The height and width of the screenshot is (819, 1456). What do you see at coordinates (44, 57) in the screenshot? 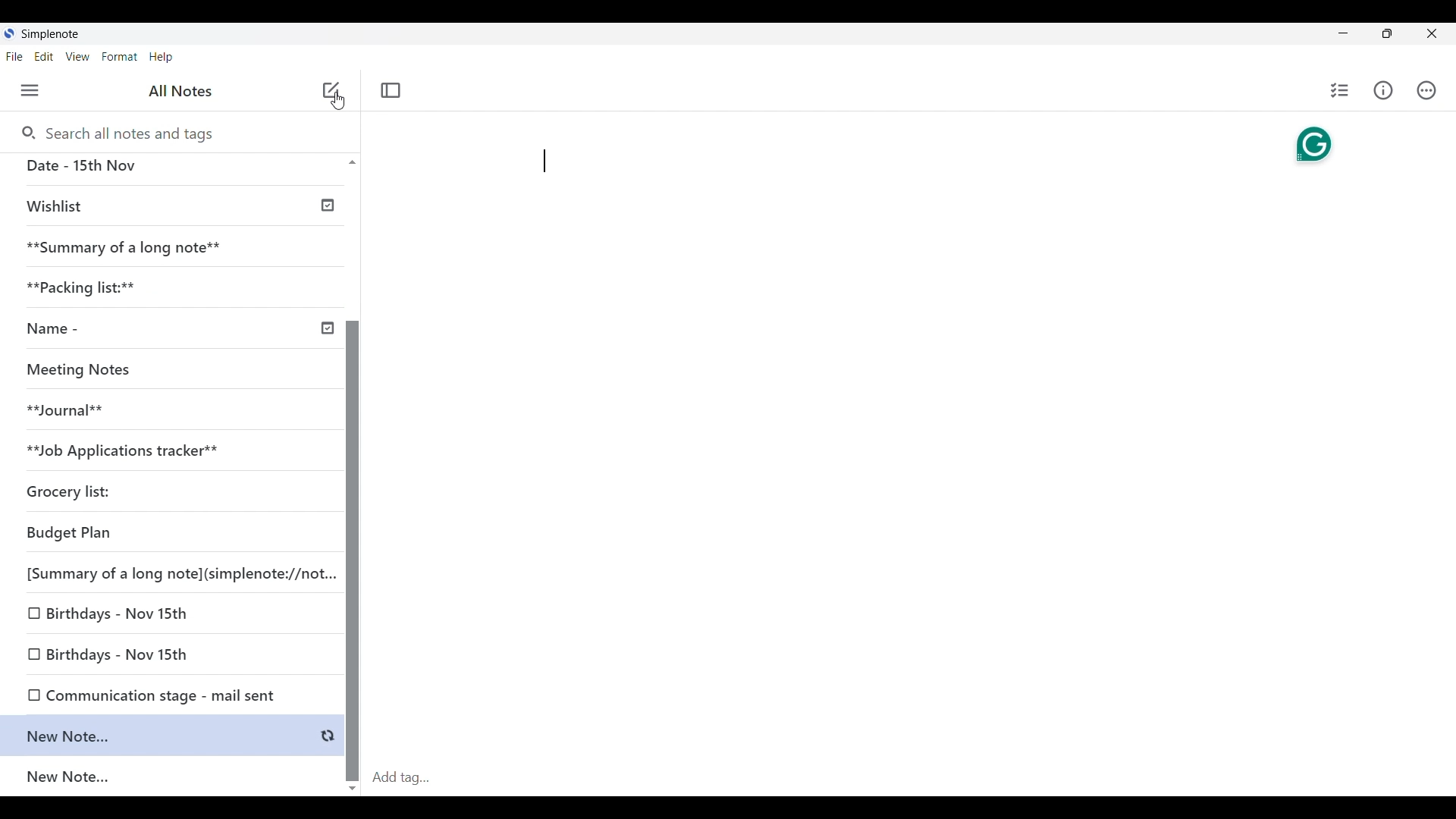
I see `Edit` at bounding box center [44, 57].